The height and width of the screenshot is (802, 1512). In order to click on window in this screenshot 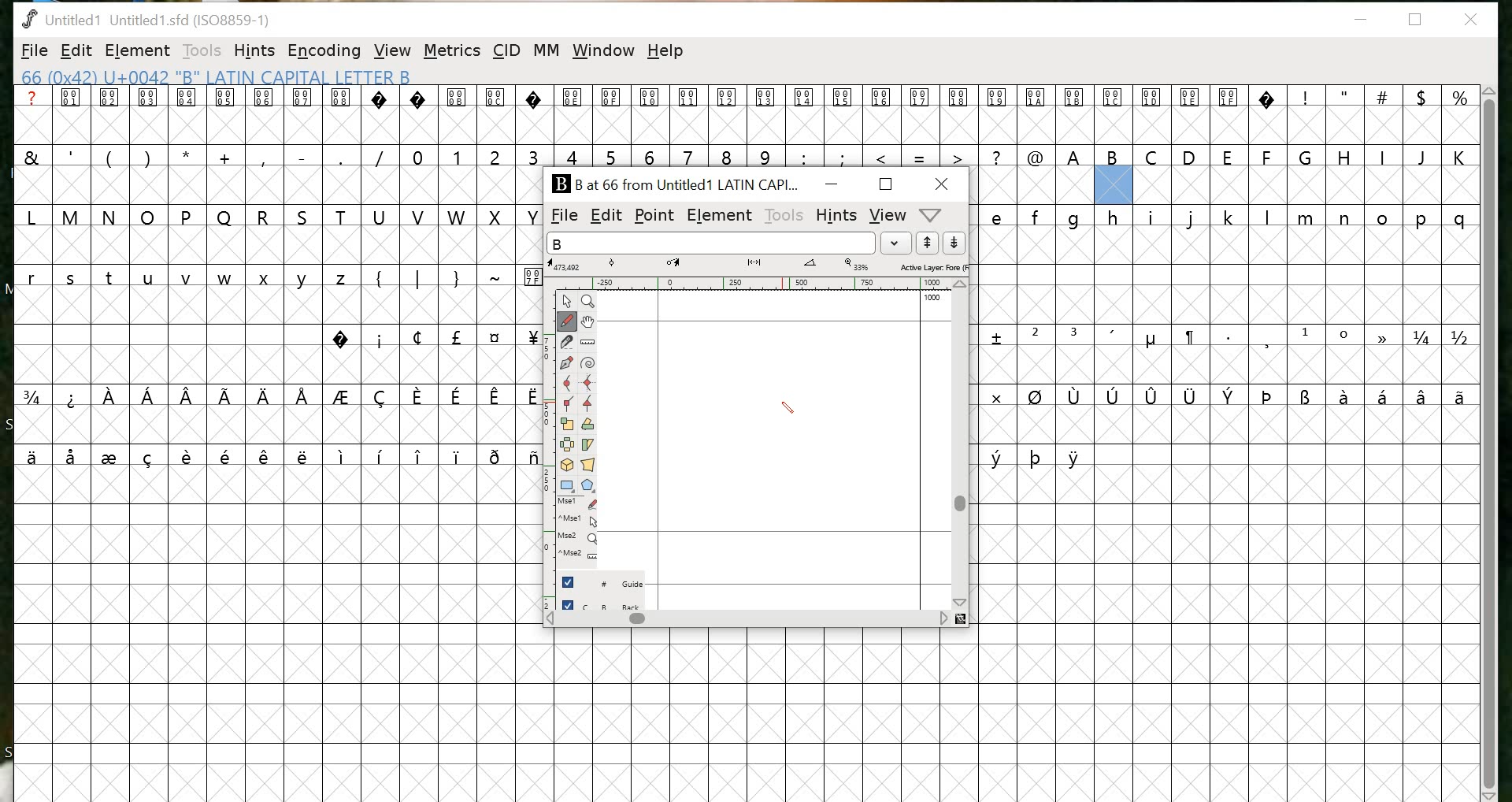, I will do `click(603, 51)`.